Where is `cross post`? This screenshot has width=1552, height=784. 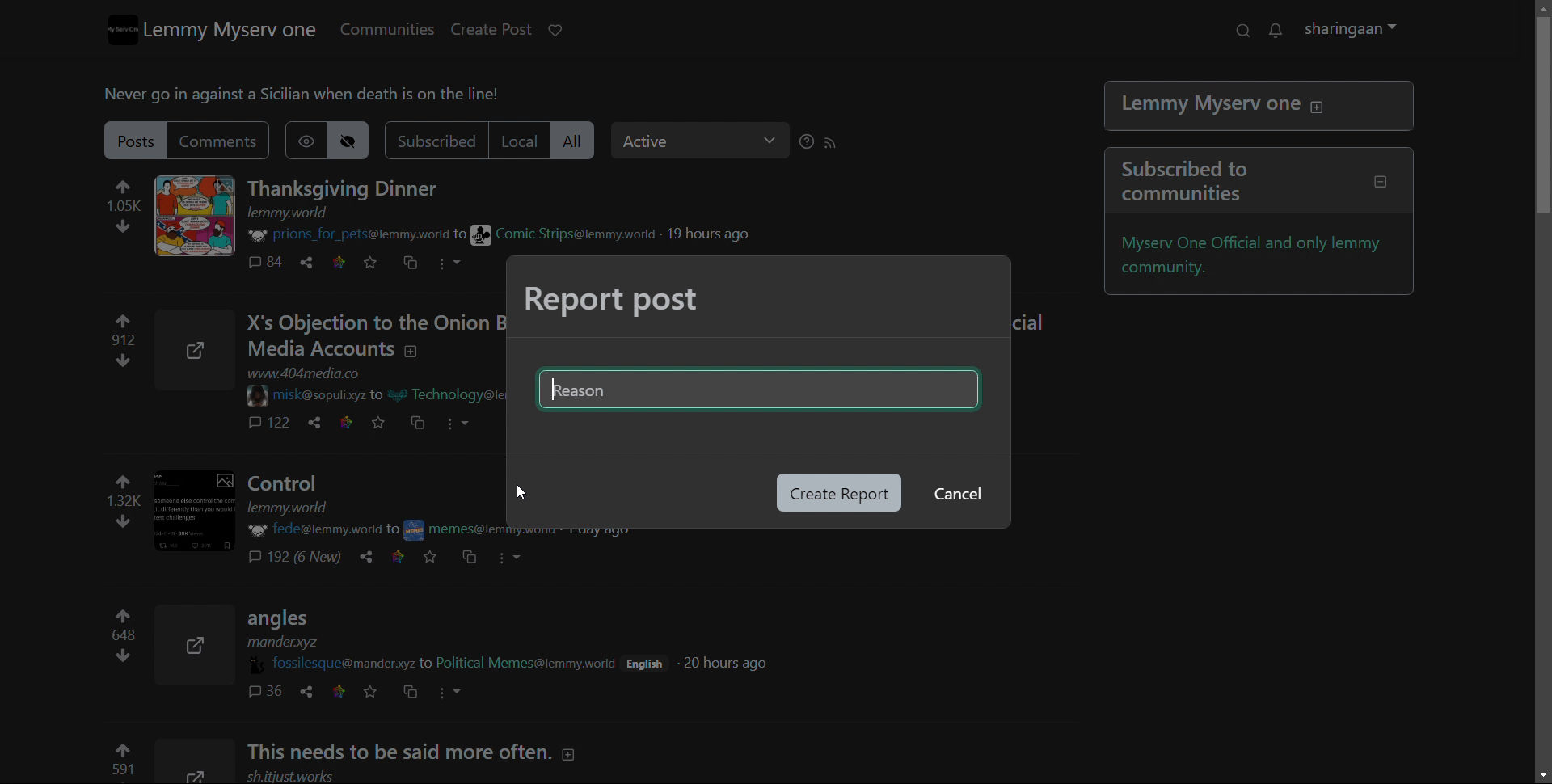 cross post is located at coordinates (419, 263).